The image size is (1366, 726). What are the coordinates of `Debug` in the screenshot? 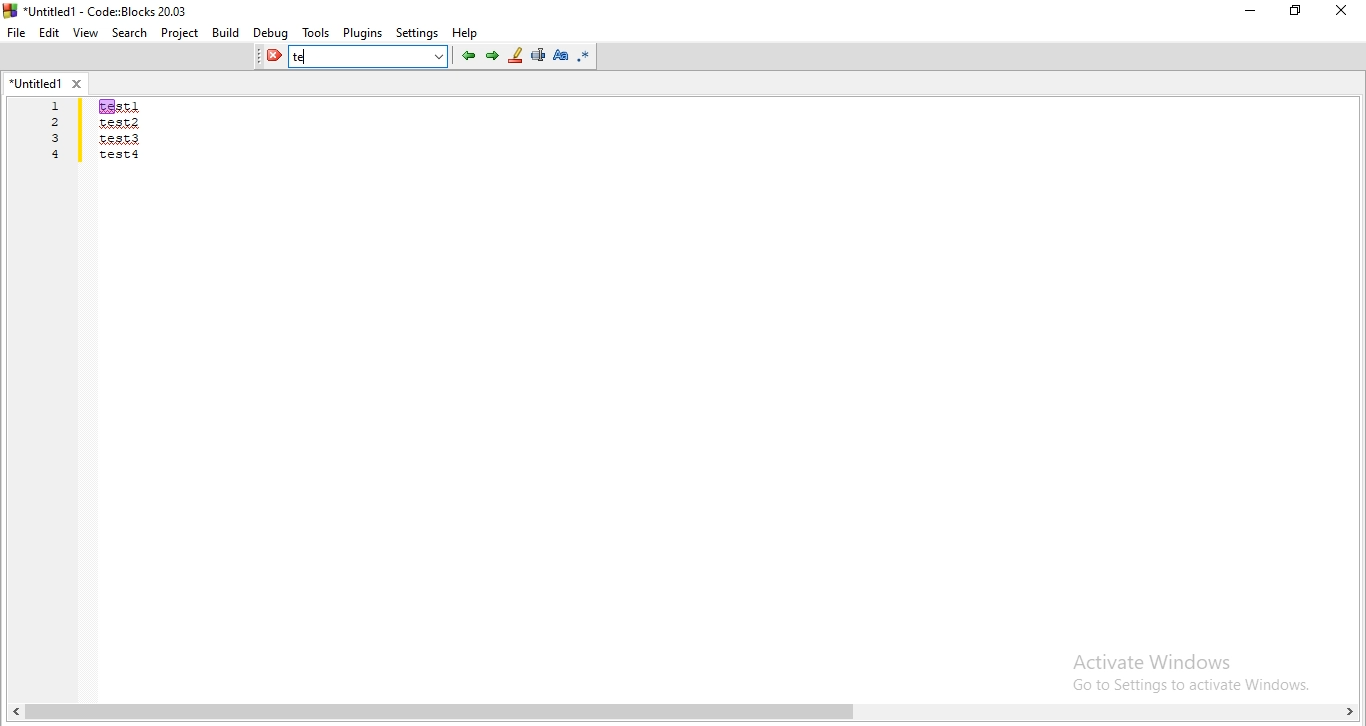 It's located at (271, 34).